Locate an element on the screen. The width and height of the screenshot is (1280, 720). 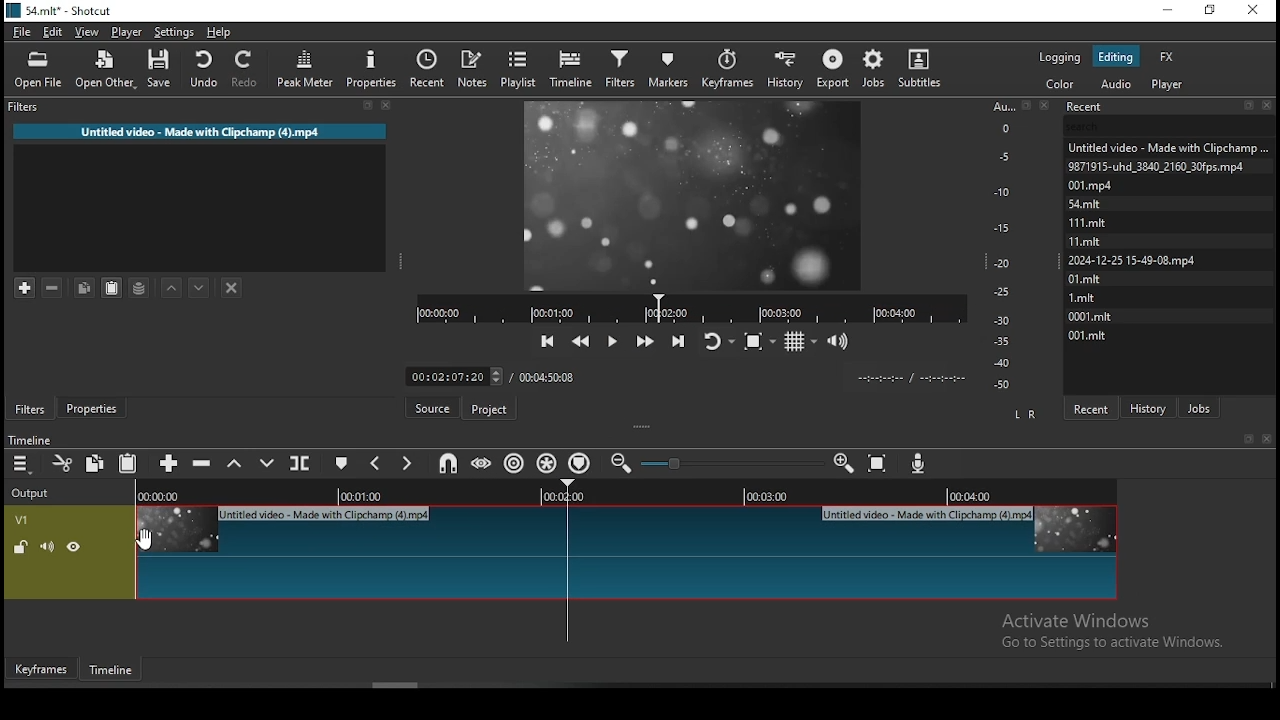
editing is located at coordinates (1116, 58).